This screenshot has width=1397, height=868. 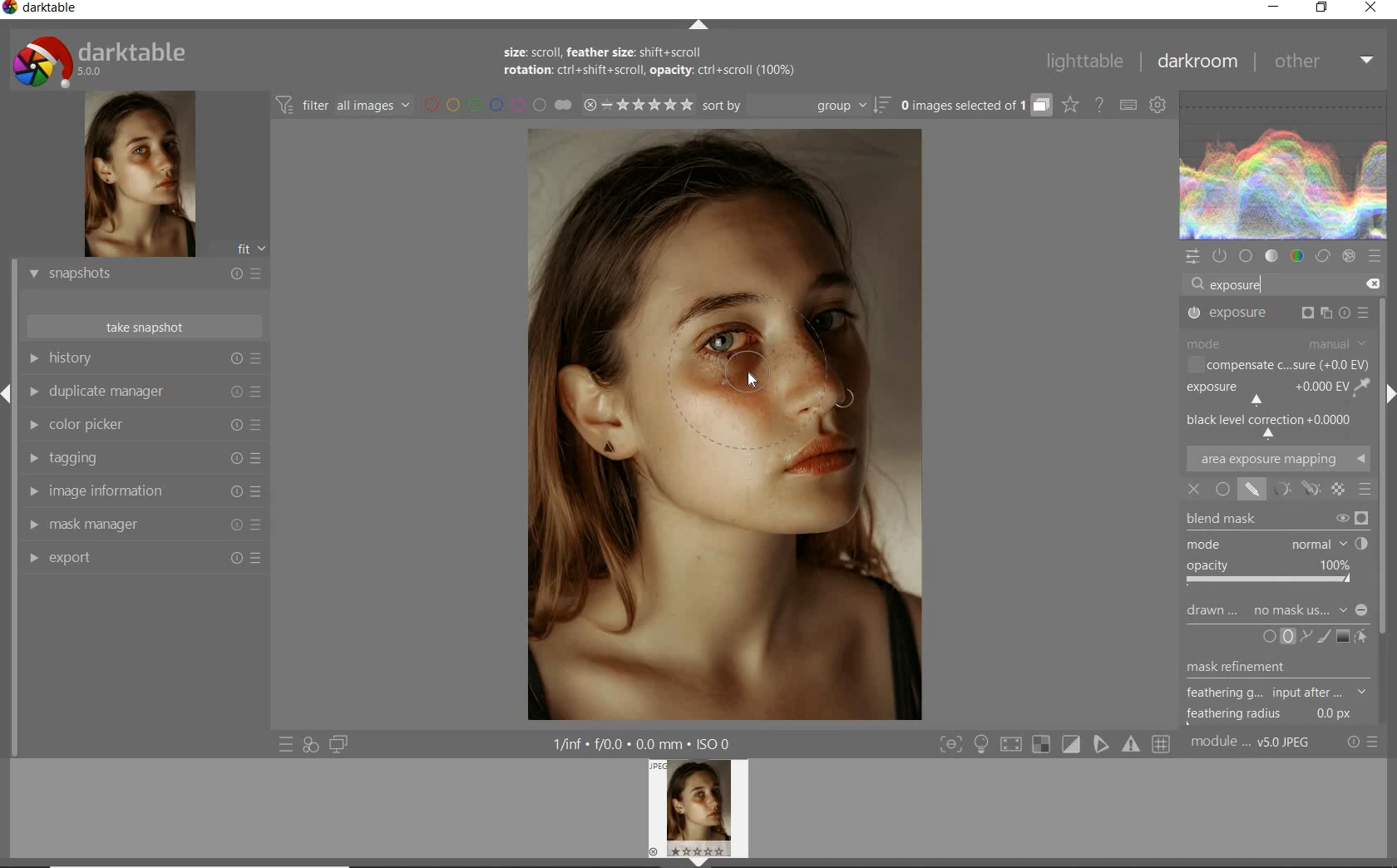 What do you see at coordinates (1244, 284) in the screenshot?
I see `INPUT VALUE` at bounding box center [1244, 284].